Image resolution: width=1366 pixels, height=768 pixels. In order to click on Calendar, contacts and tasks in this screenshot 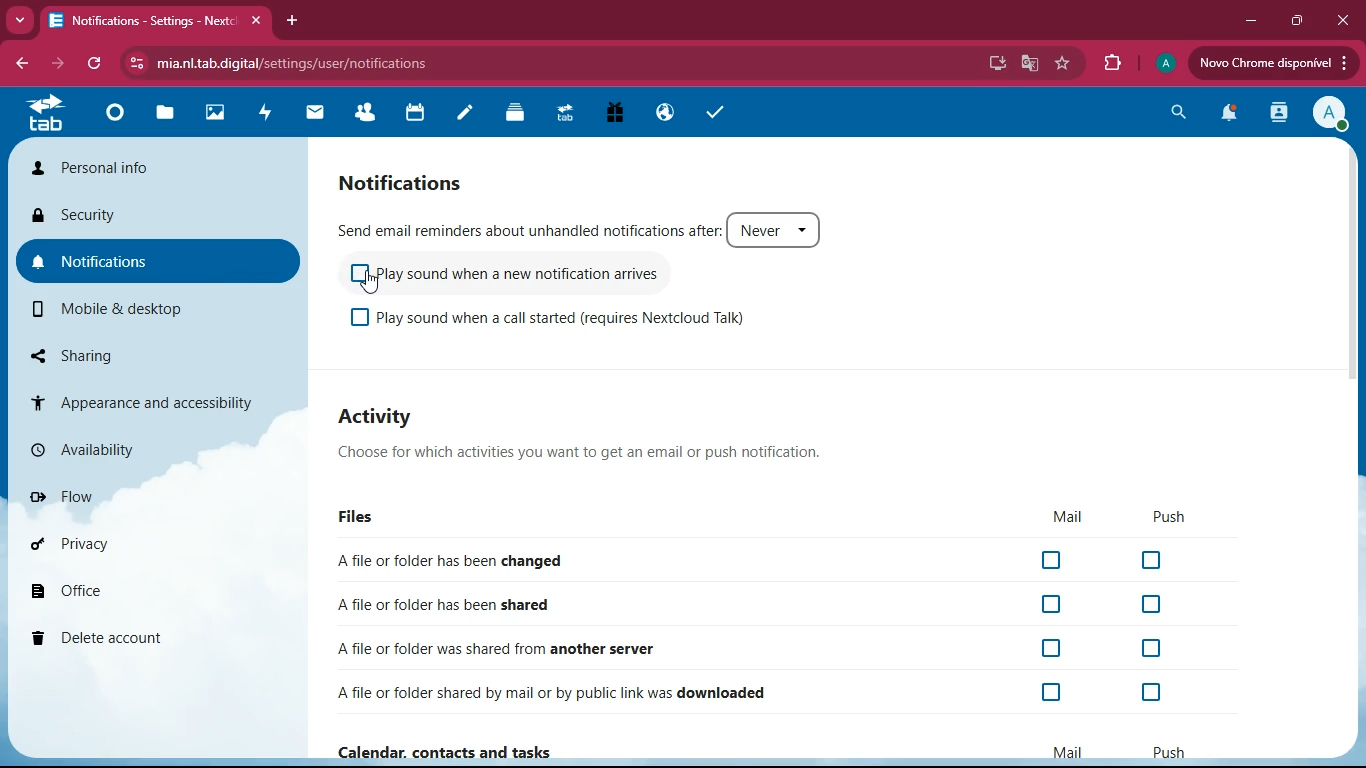, I will do `click(463, 752)`.